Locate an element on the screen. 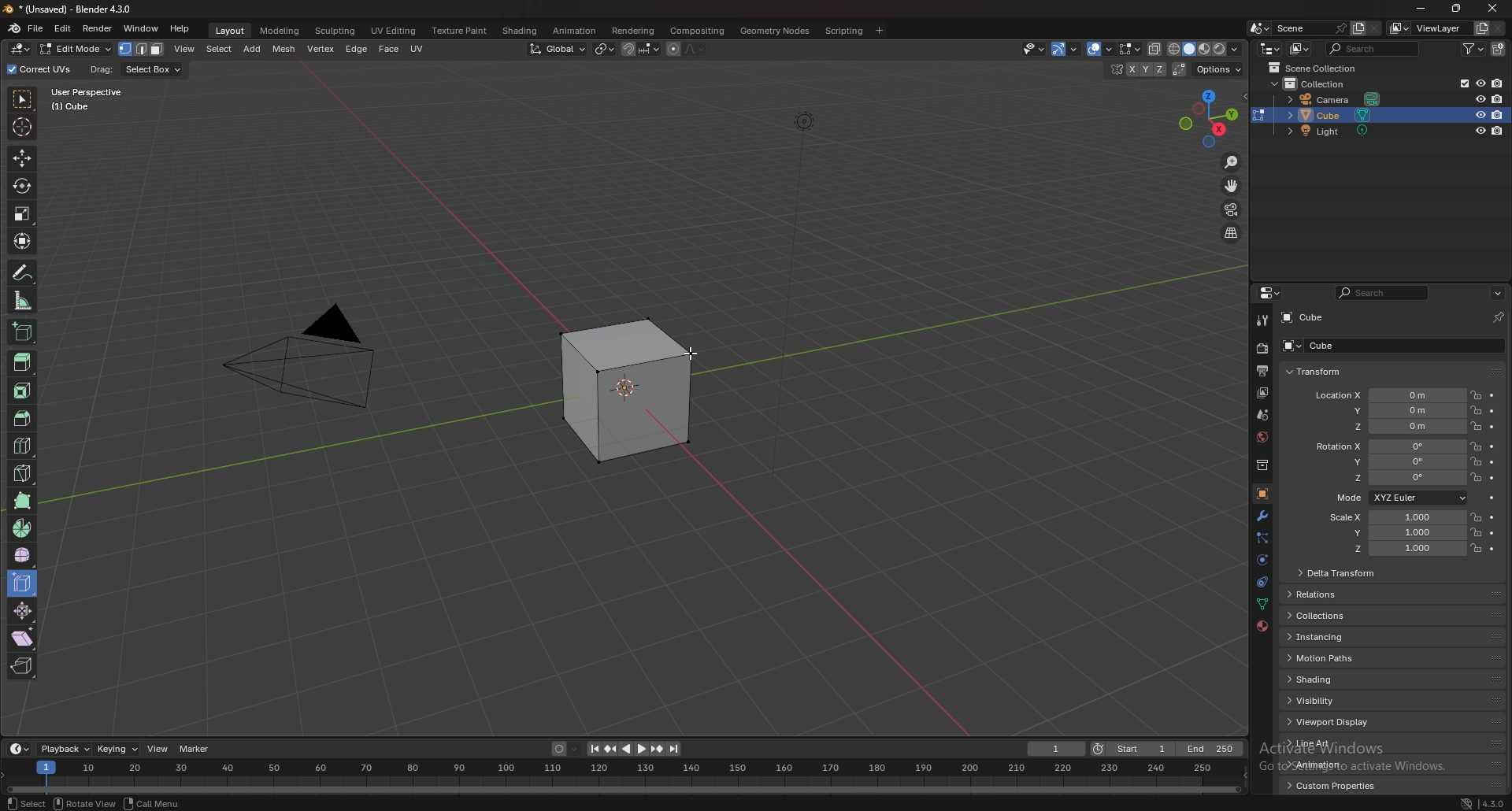  inset faces is located at coordinates (21, 391).